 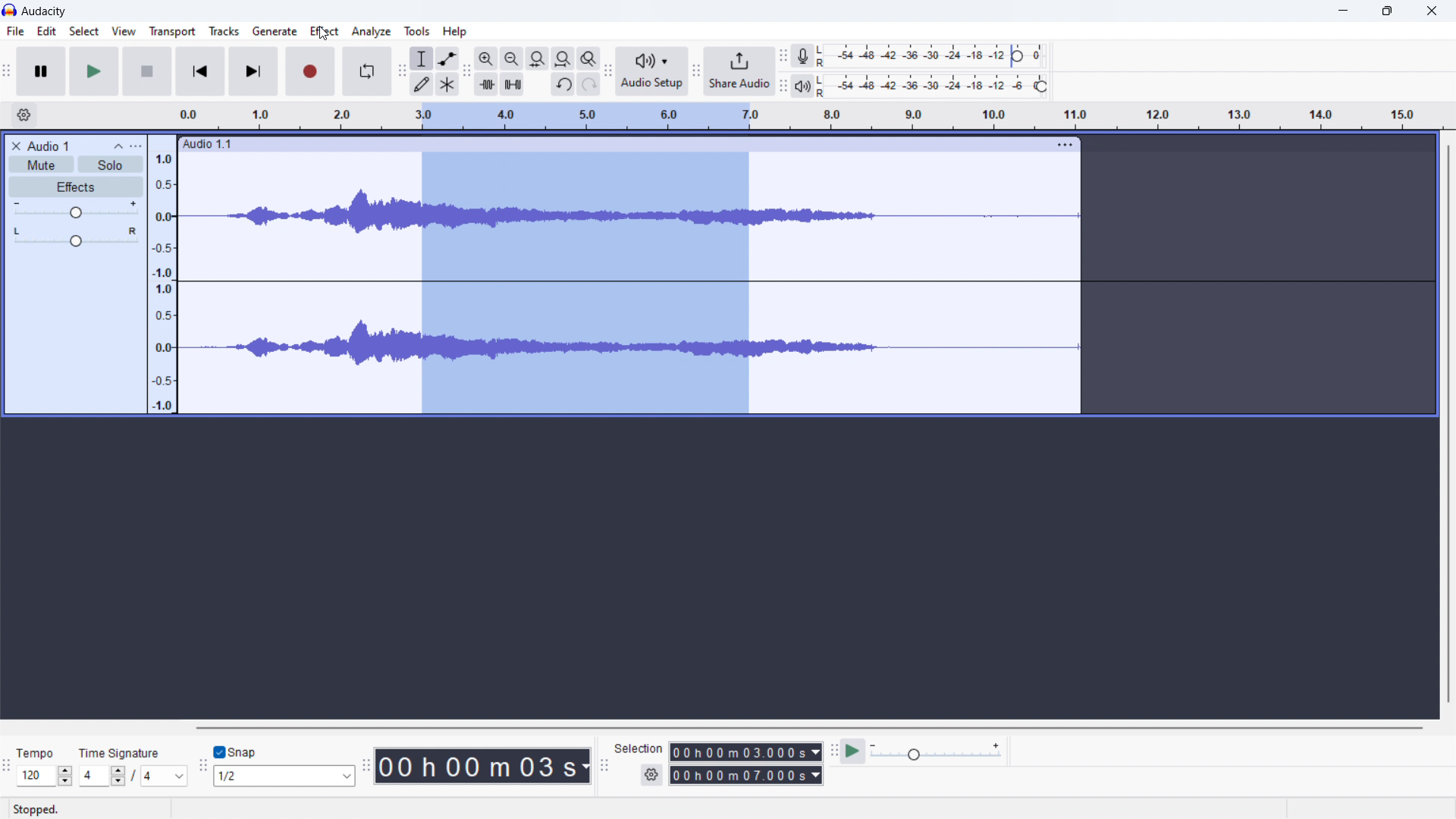 What do you see at coordinates (108, 165) in the screenshot?
I see `solo` at bounding box center [108, 165].